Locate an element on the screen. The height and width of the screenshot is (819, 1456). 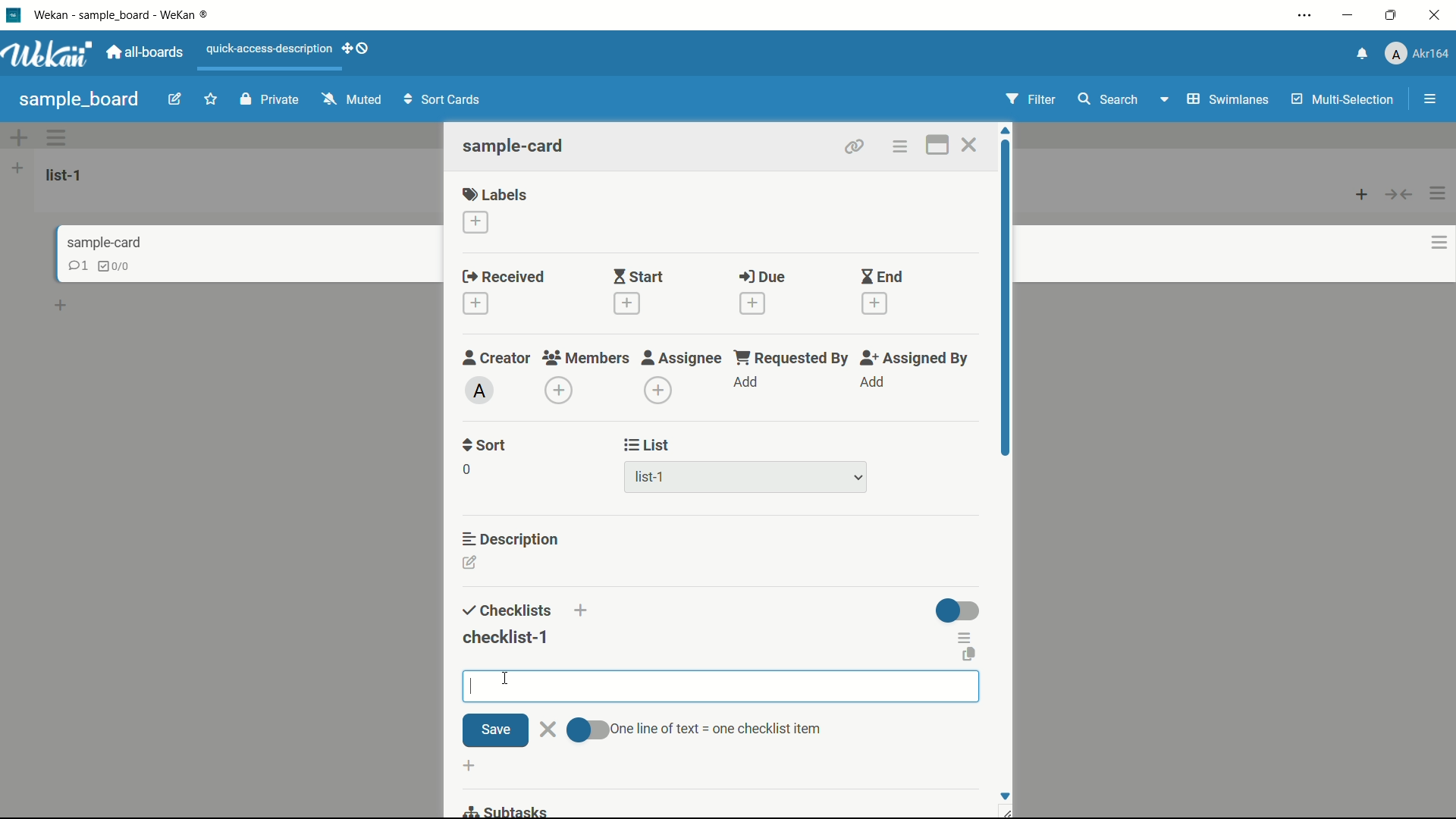
add date is located at coordinates (476, 304).